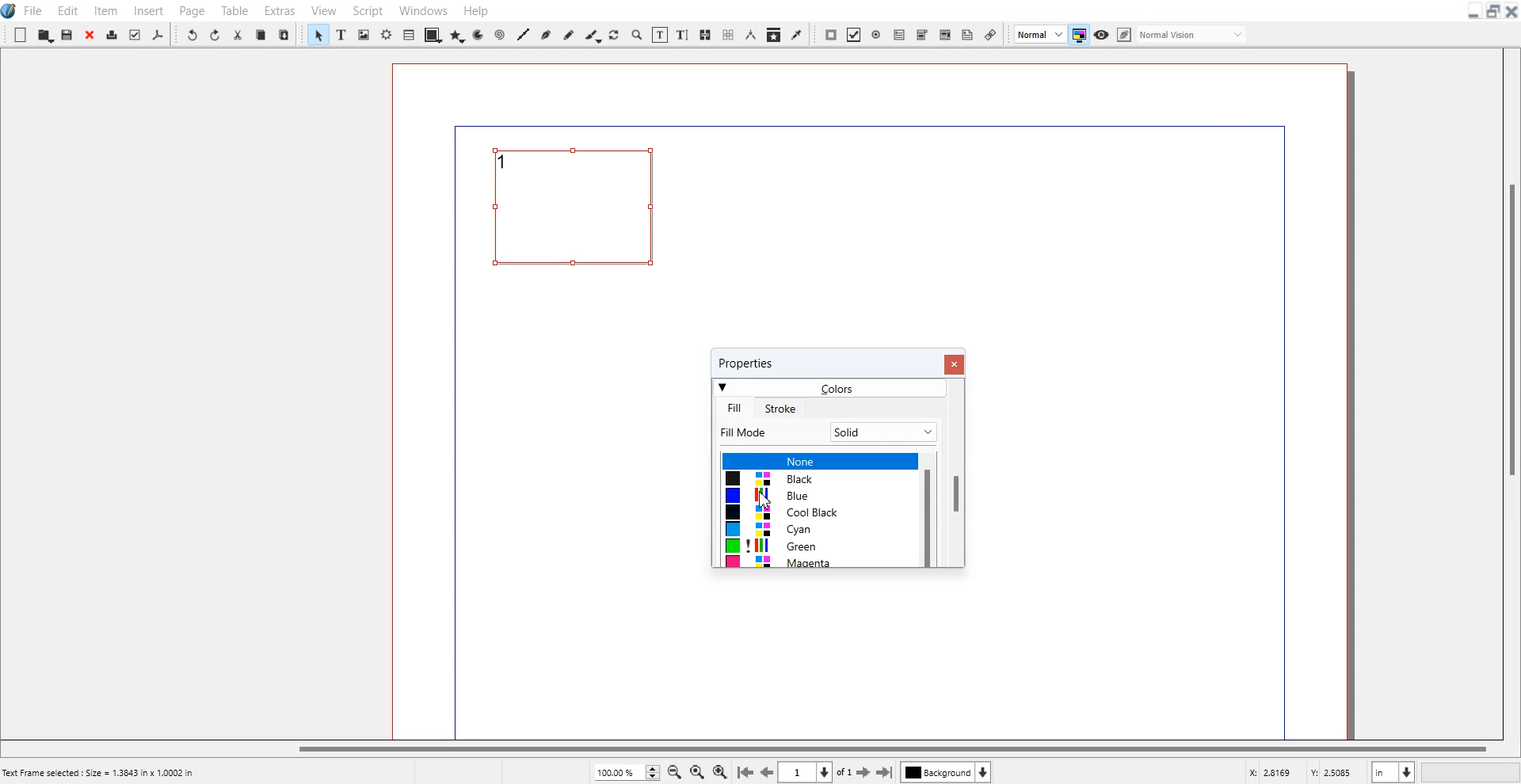 The image size is (1521, 784). Describe the element at coordinates (684, 35) in the screenshot. I see `Edit Text` at that location.